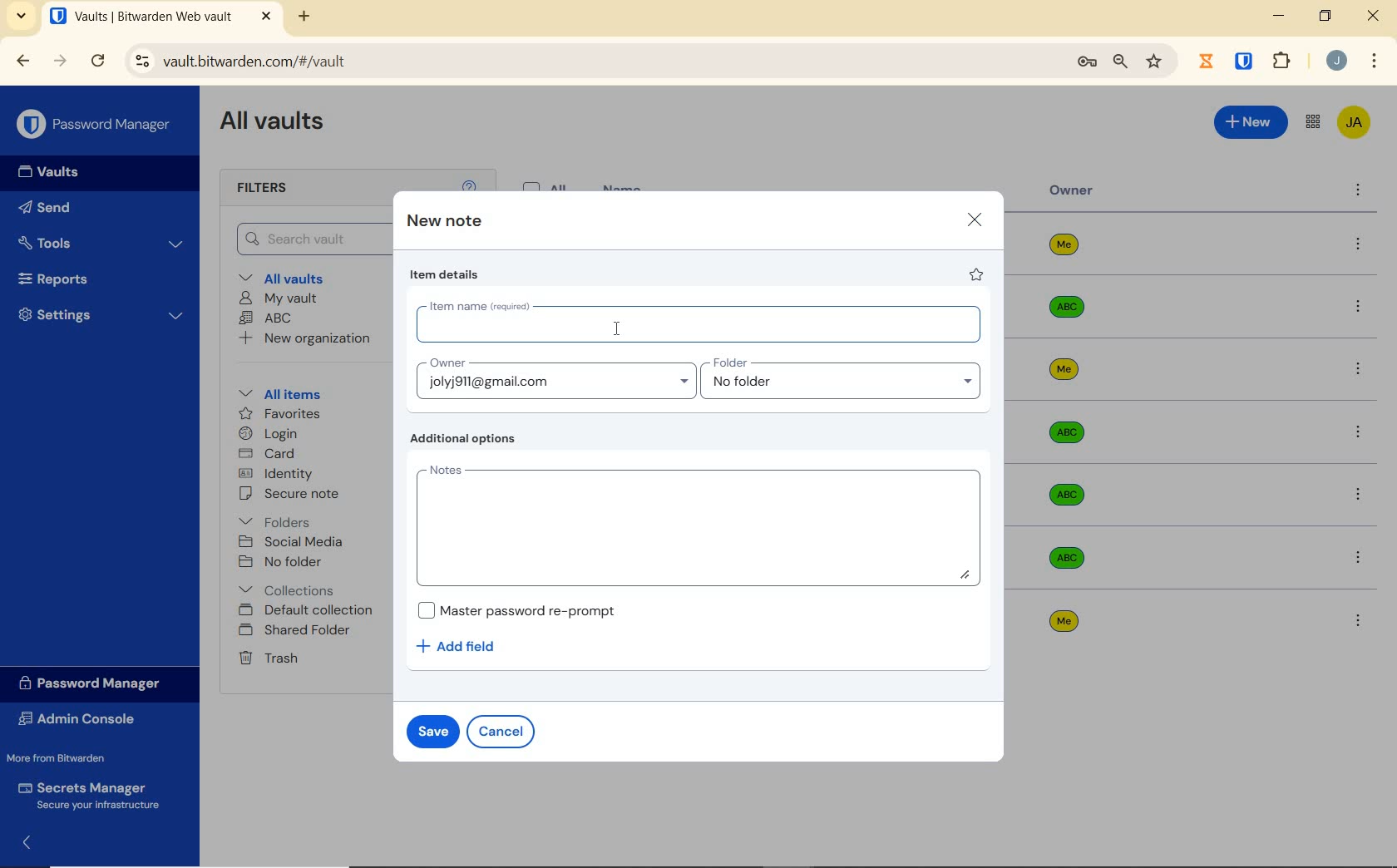  What do you see at coordinates (589, 61) in the screenshot?
I see `address bar` at bounding box center [589, 61].